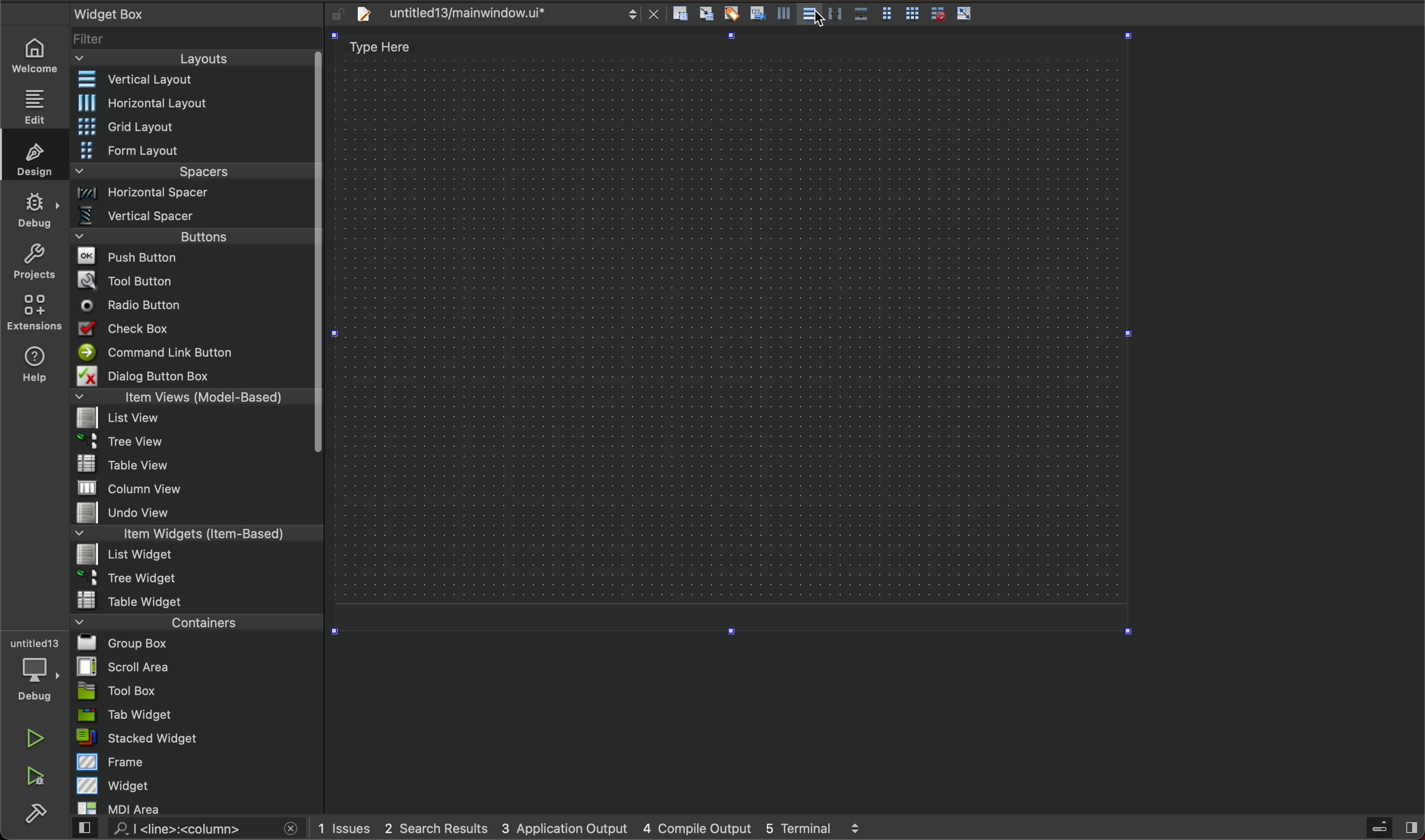  What do you see at coordinates (33, 368) in the screenshot?
I see `help` at bounding box center [33, 368].